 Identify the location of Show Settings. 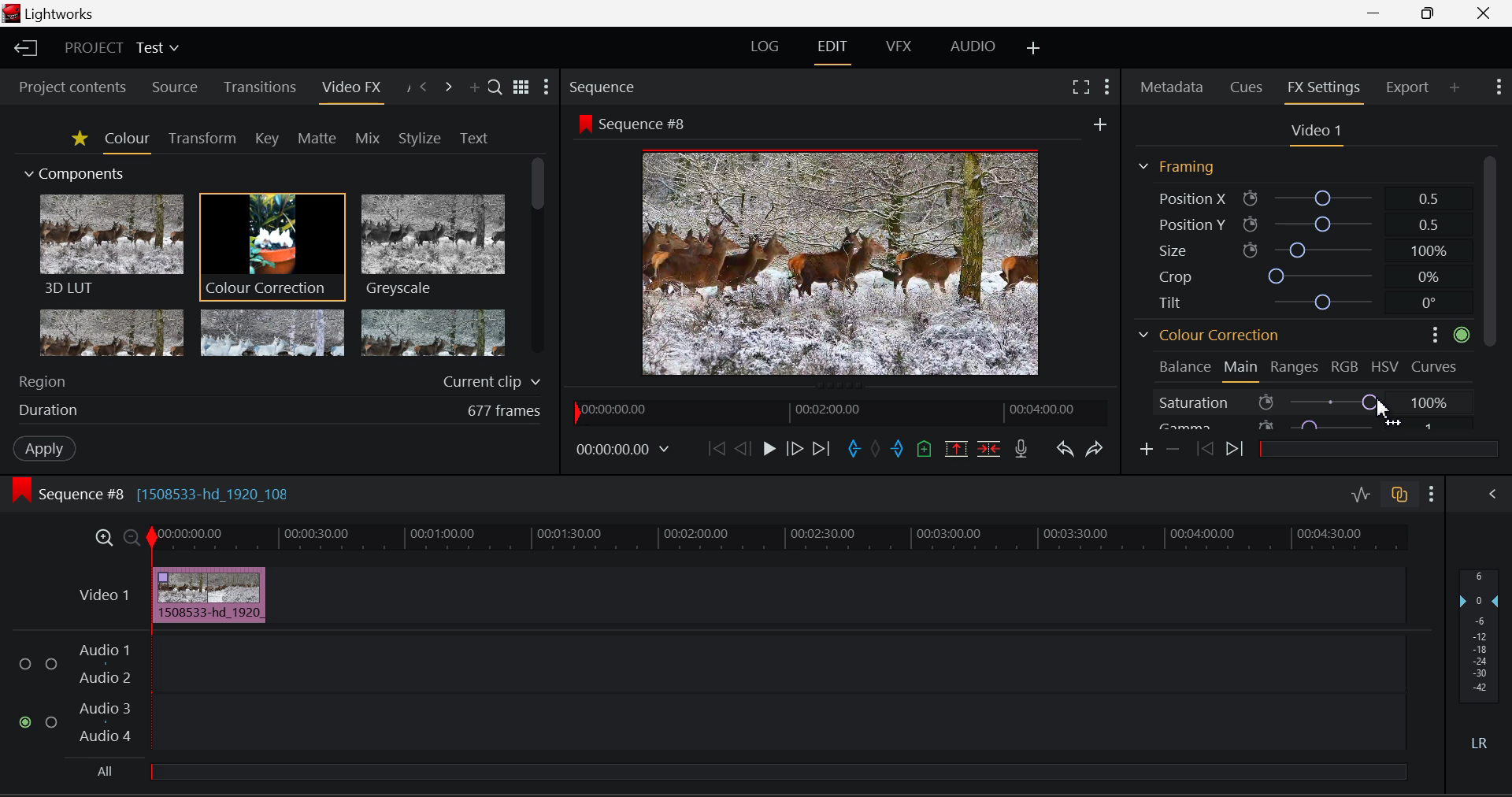
(1432, 495).